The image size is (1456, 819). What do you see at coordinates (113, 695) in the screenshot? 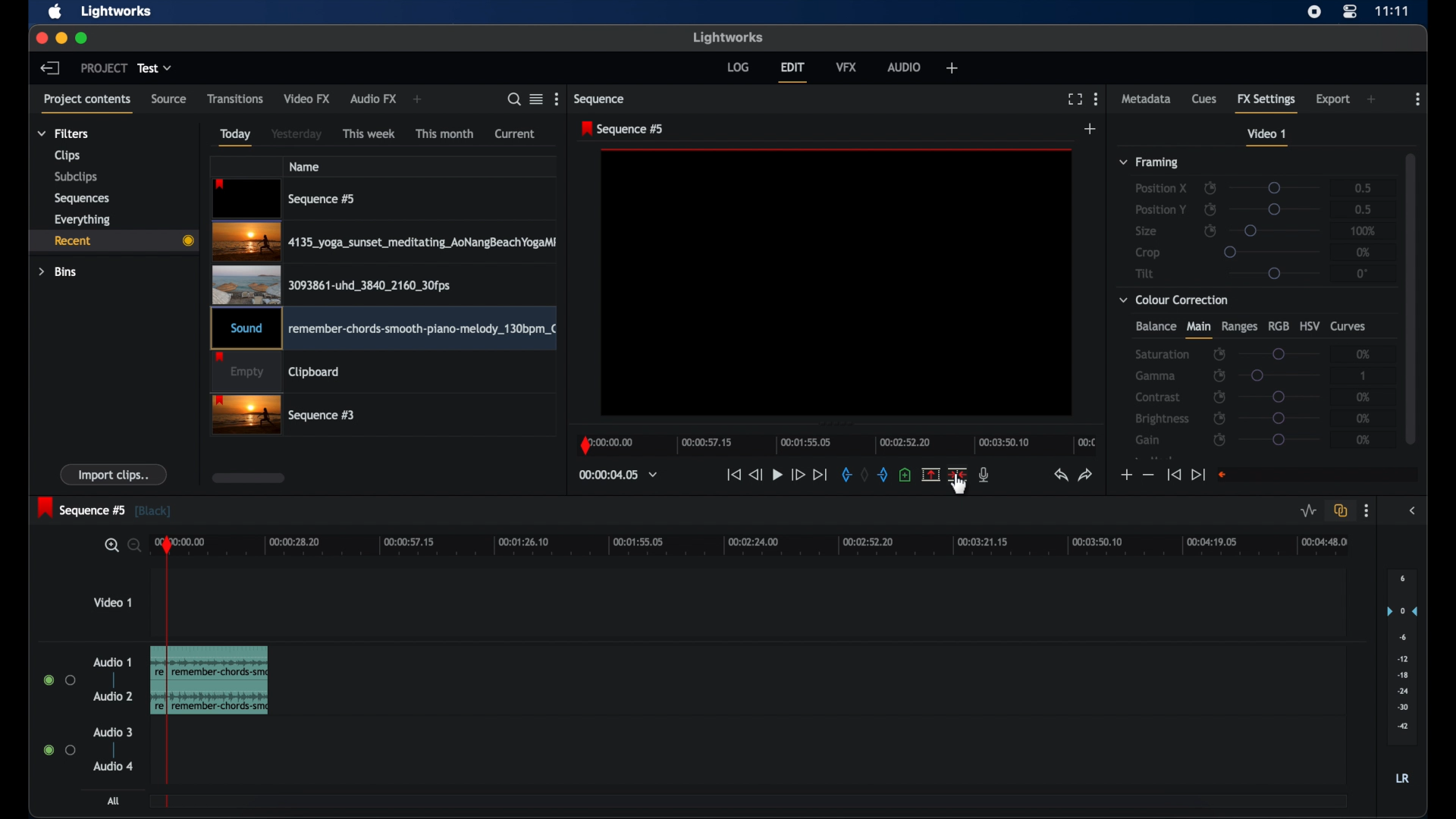
I see `audio 2` at bounding box center [113, 695].